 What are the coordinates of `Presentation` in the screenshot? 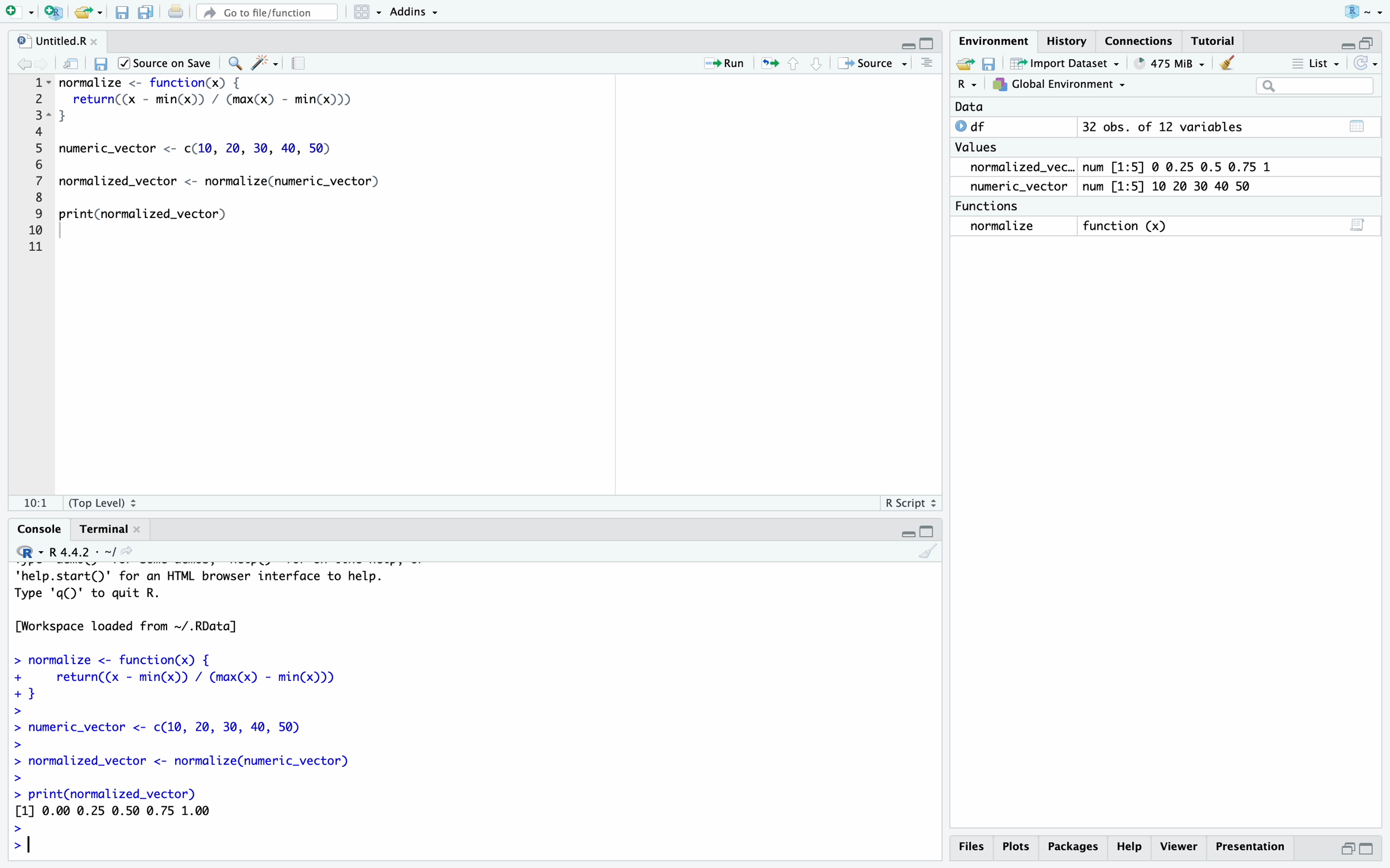 It's located at (1249, 846).